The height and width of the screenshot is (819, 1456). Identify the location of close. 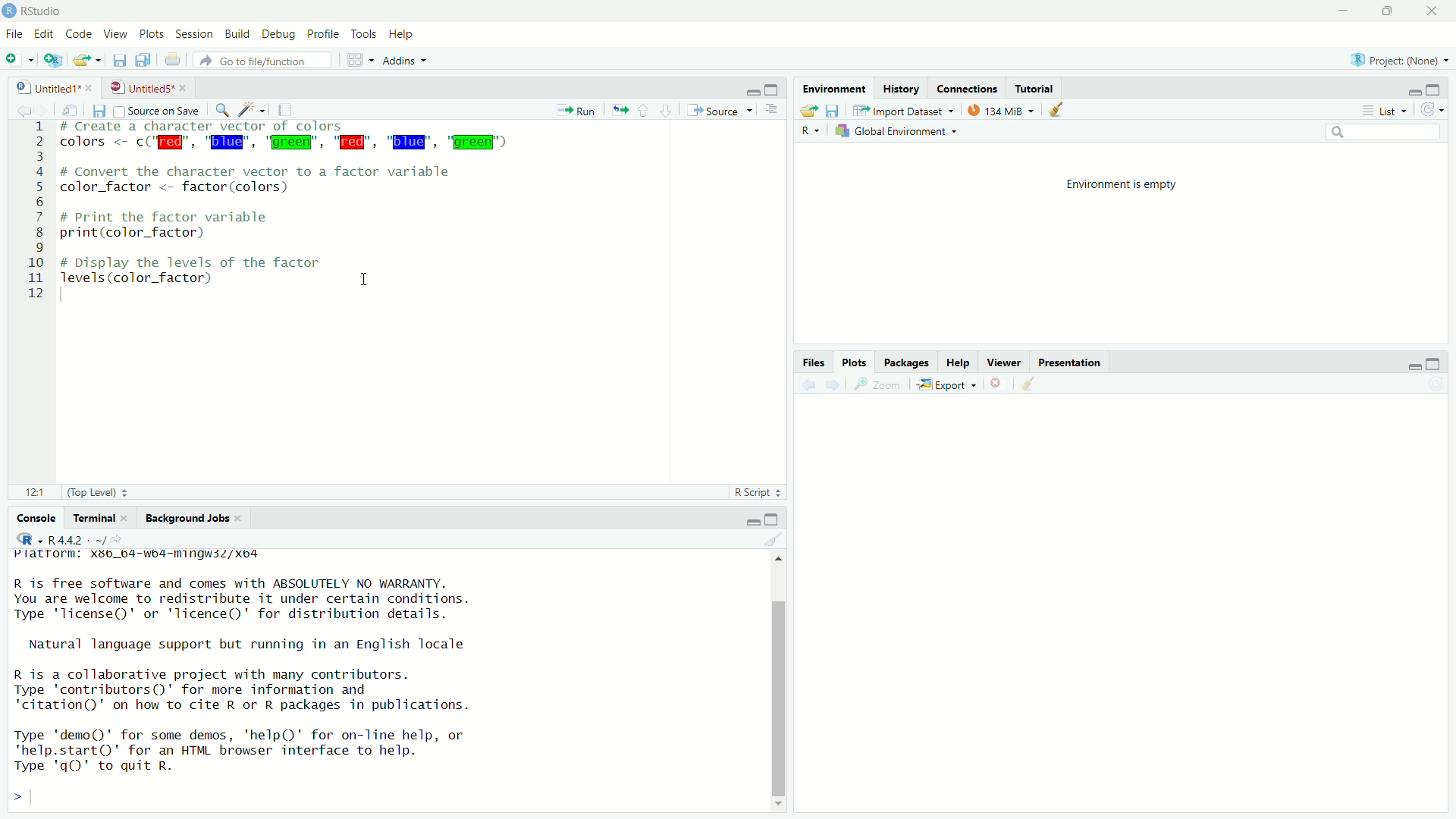
(1435, 10).